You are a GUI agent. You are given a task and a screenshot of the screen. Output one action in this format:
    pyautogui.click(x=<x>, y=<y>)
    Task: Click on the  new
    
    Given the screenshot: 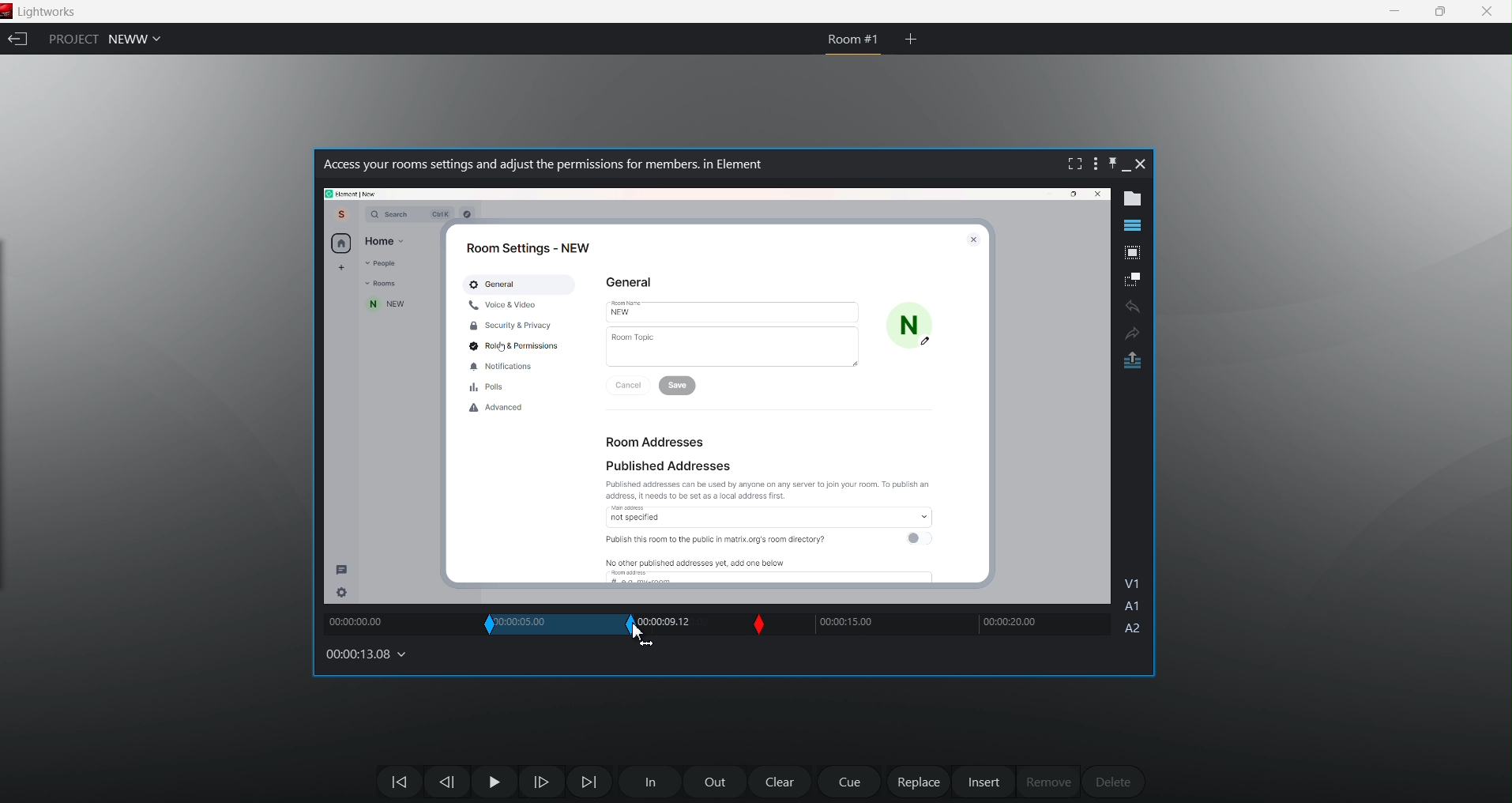 What is the action you would take?
    pyautogui.click(x=387, y=305)
    